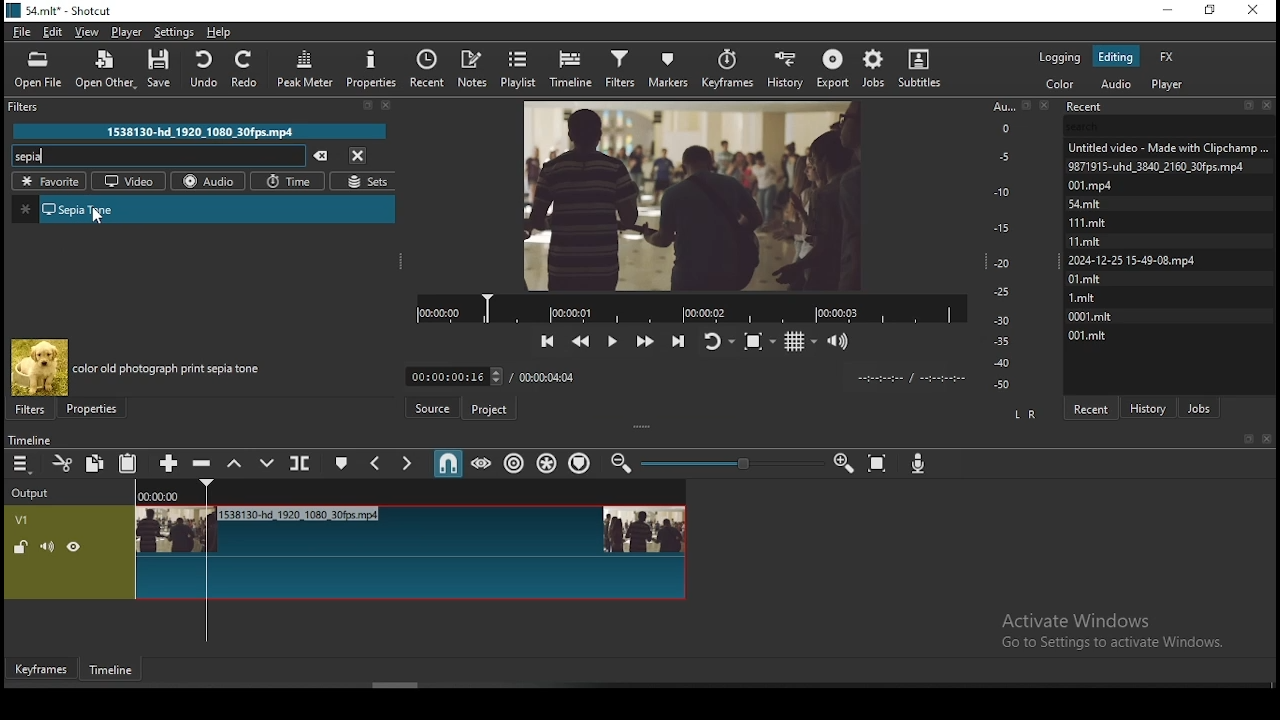 Image resolution: width=1280 pixels, height=720 pixels. Describe the element at coordinates (475, 67) in the screenshot. I see `notes` at that location.